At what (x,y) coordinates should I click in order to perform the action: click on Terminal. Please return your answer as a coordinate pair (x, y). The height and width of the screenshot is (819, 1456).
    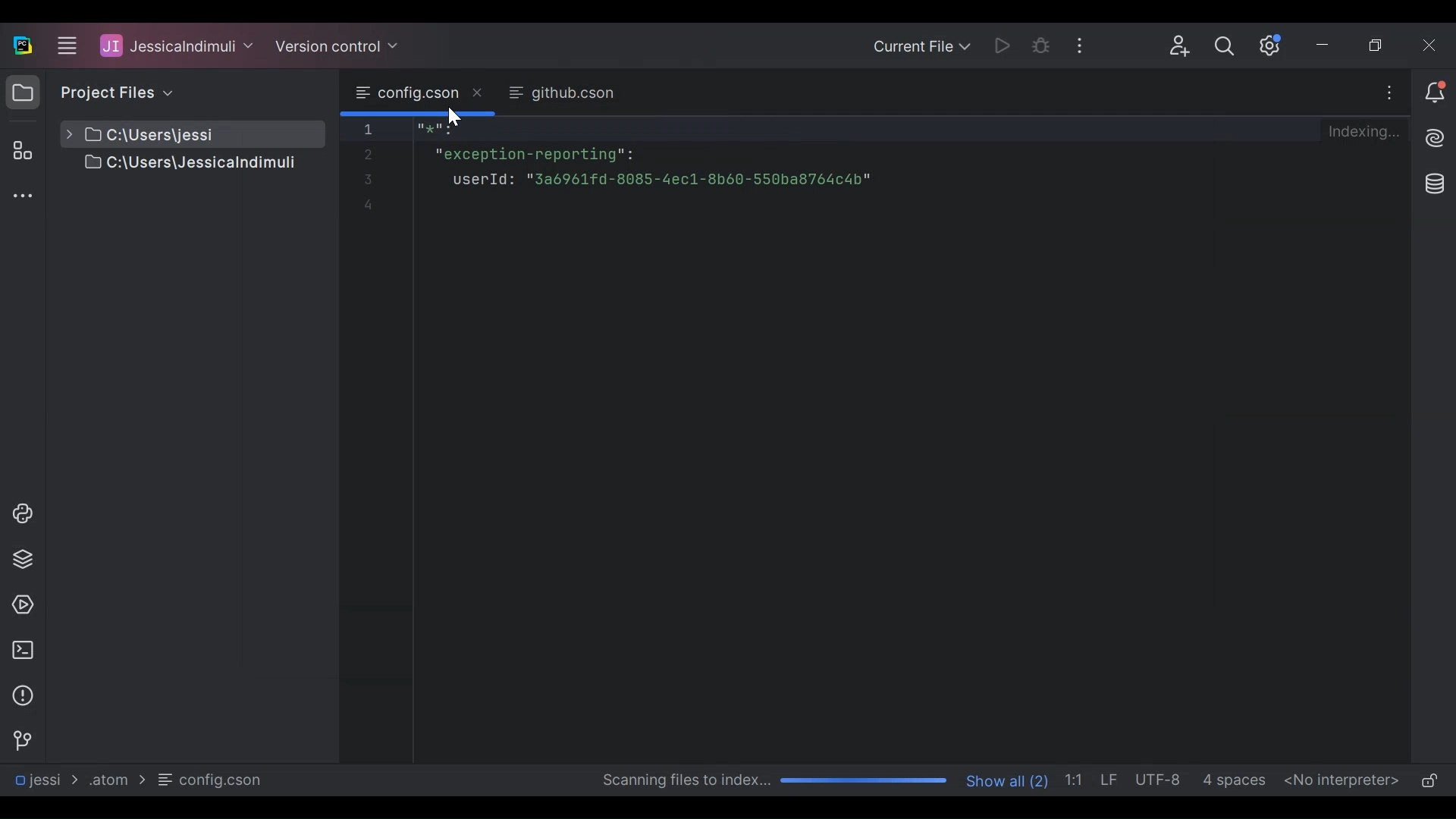
    Looking at the image, I should click on (23, 650).